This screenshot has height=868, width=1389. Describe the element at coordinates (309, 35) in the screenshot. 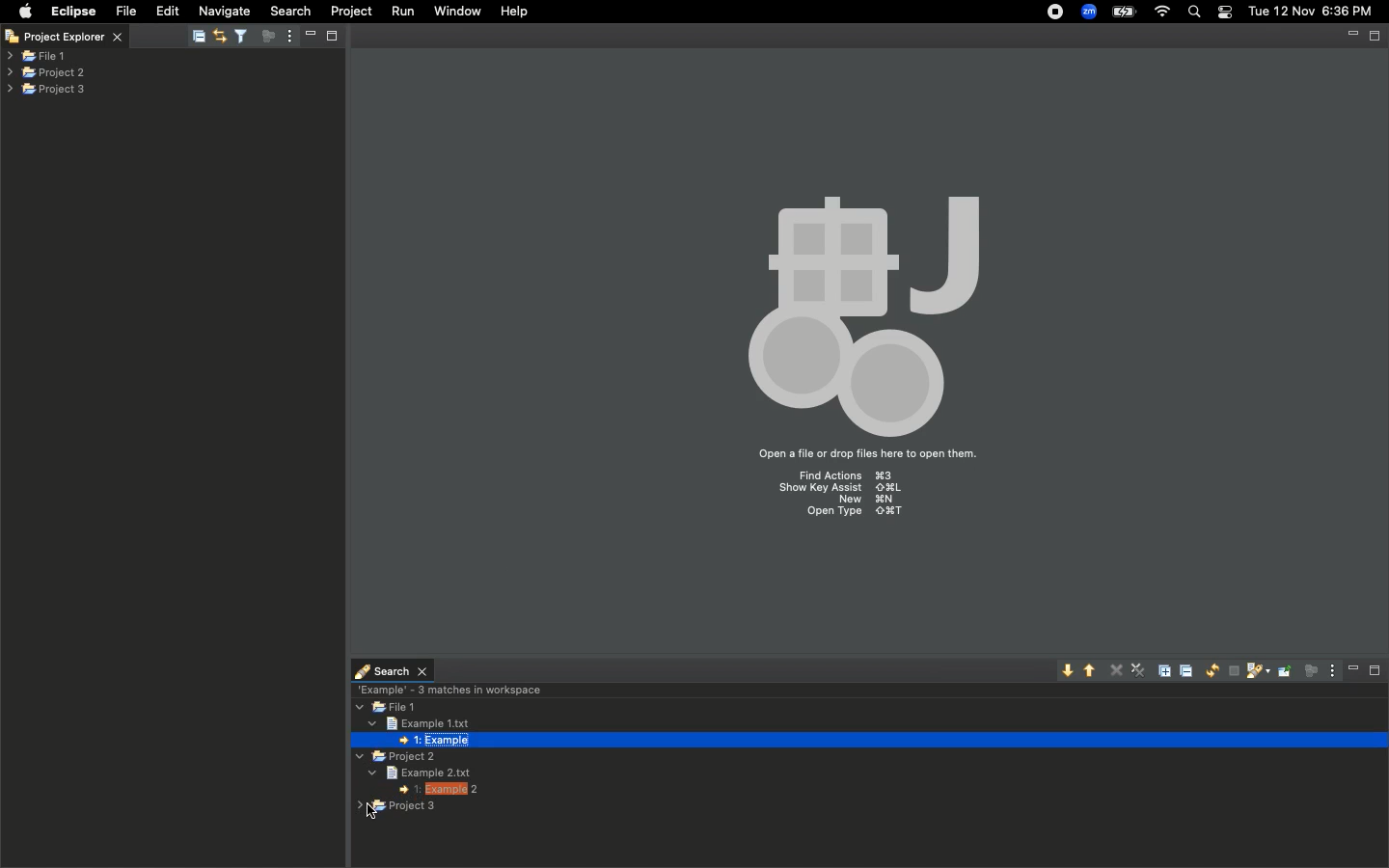

I see `minimize` at that location.